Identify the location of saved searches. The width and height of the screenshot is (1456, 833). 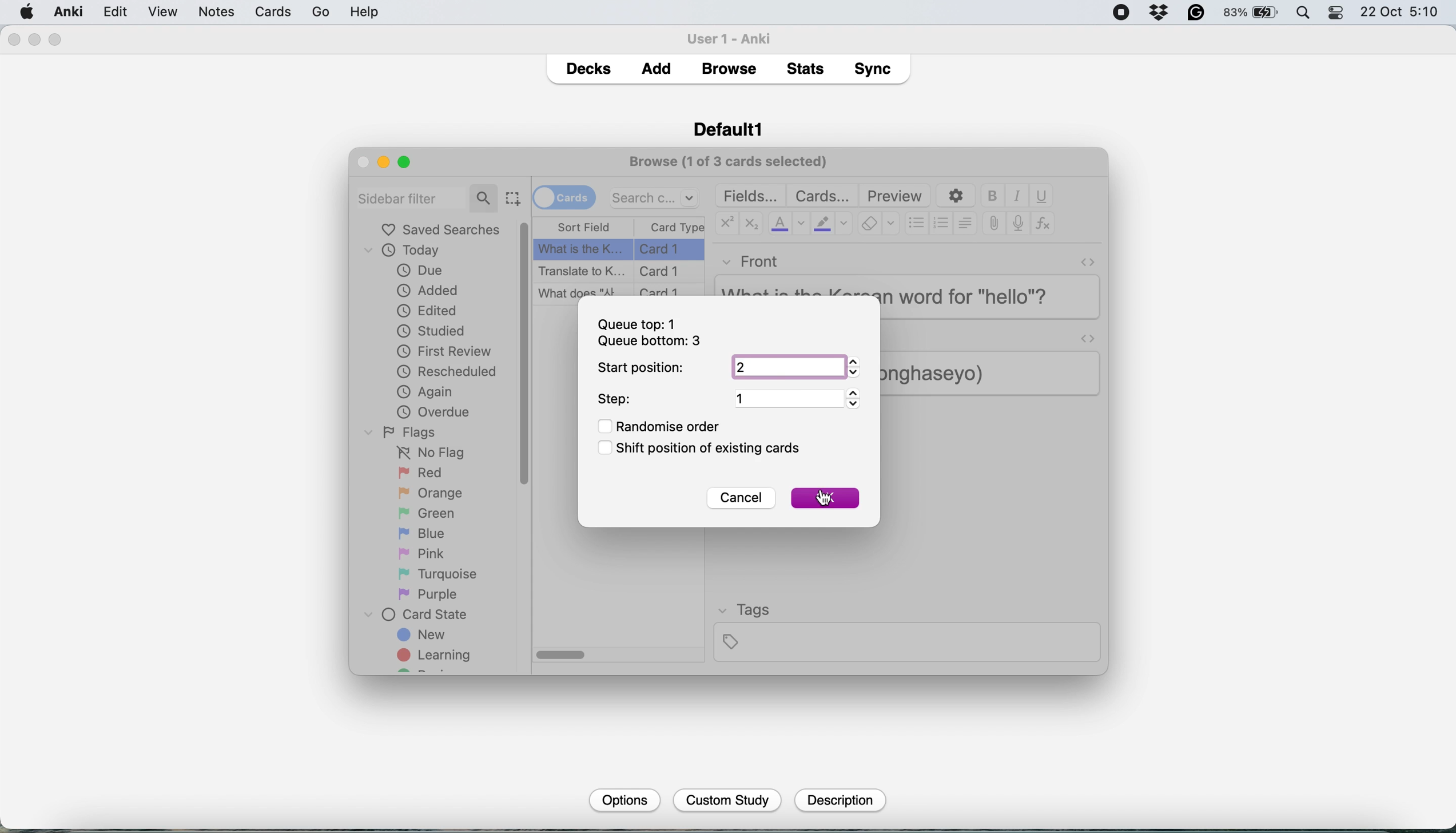
(441, 229).